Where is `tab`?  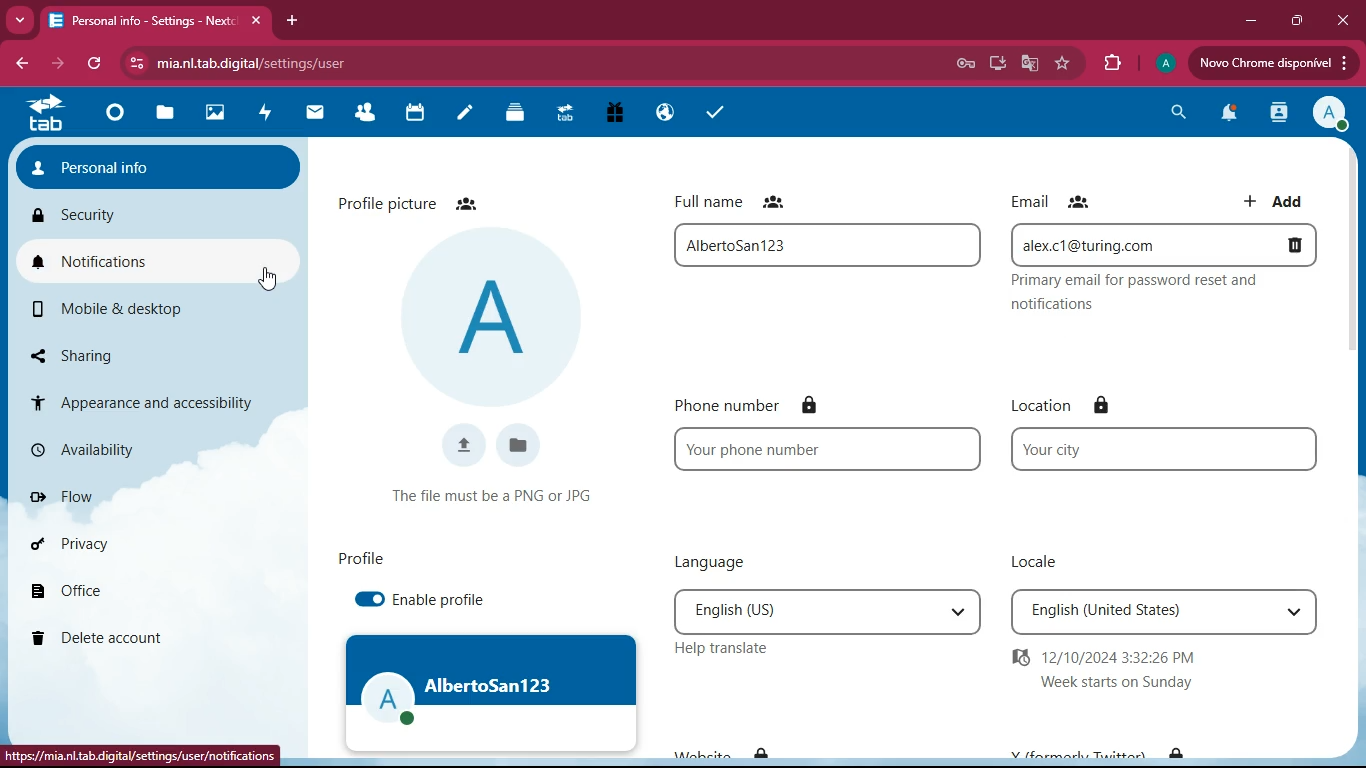 tab is located at coordinates (562, 116).